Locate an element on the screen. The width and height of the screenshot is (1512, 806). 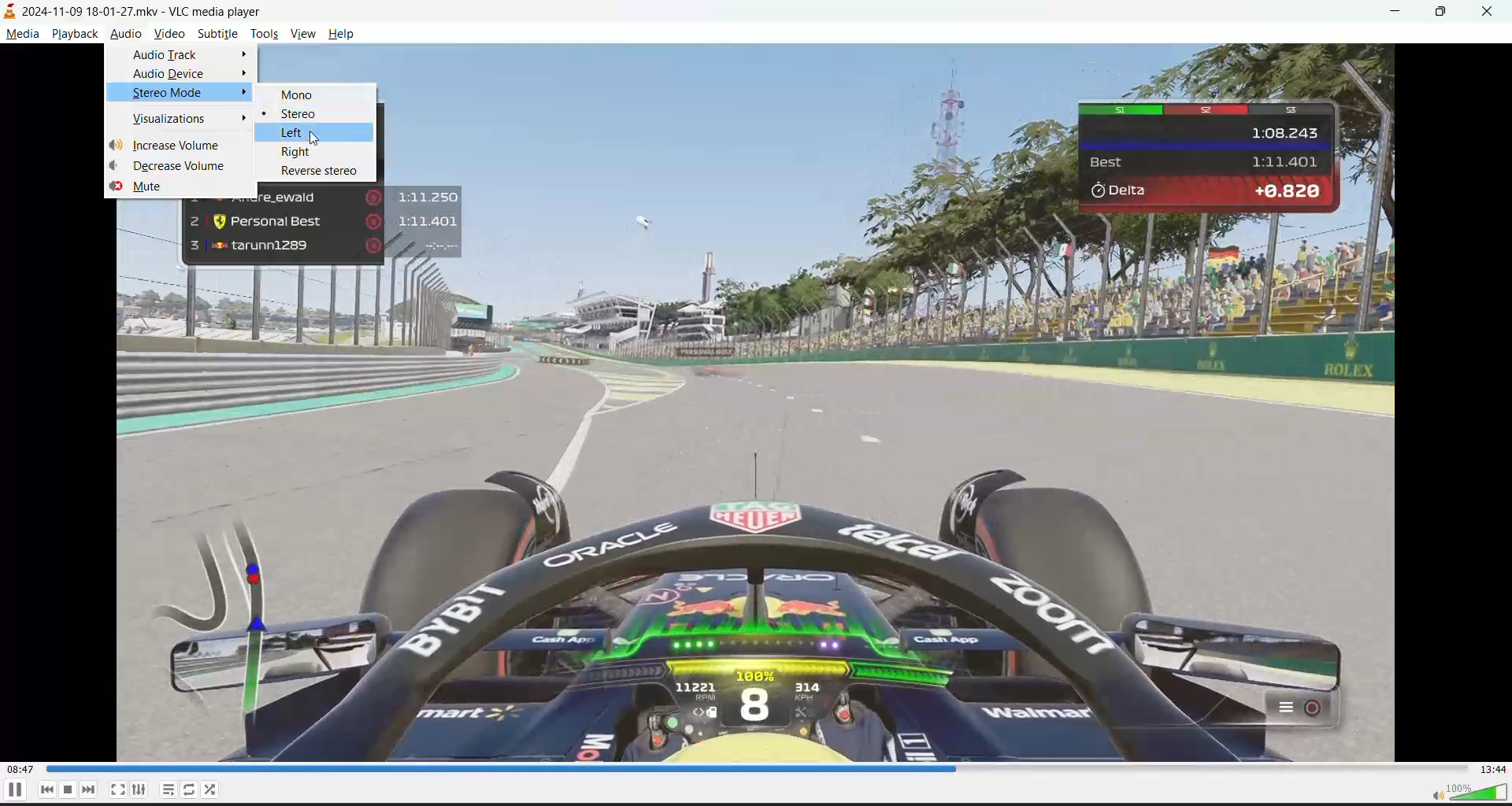
left is located at coordinates (291, 132).